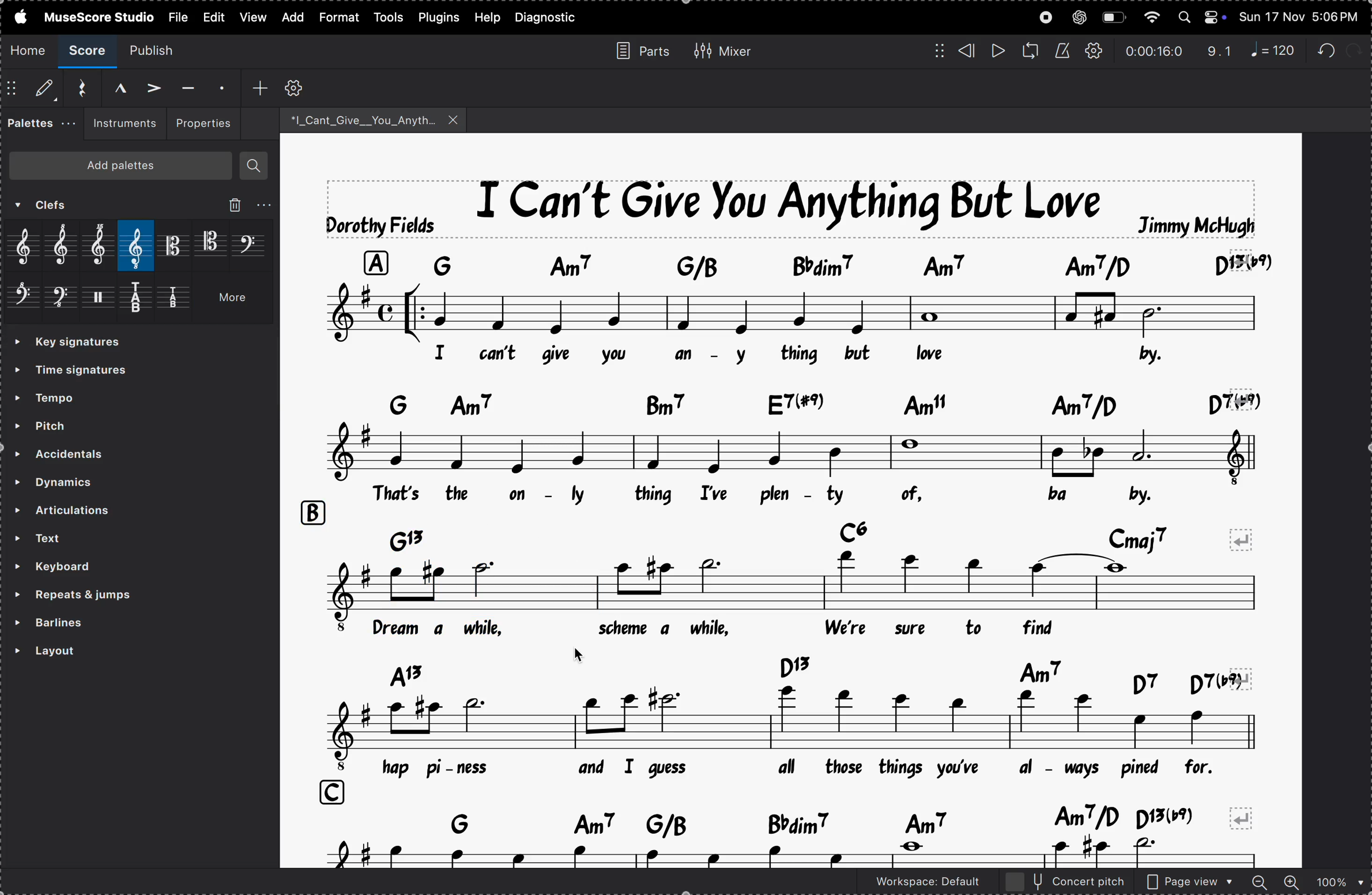  Describe the element at coordinates (487, 17) in the screenshot. I see `help` at that location.